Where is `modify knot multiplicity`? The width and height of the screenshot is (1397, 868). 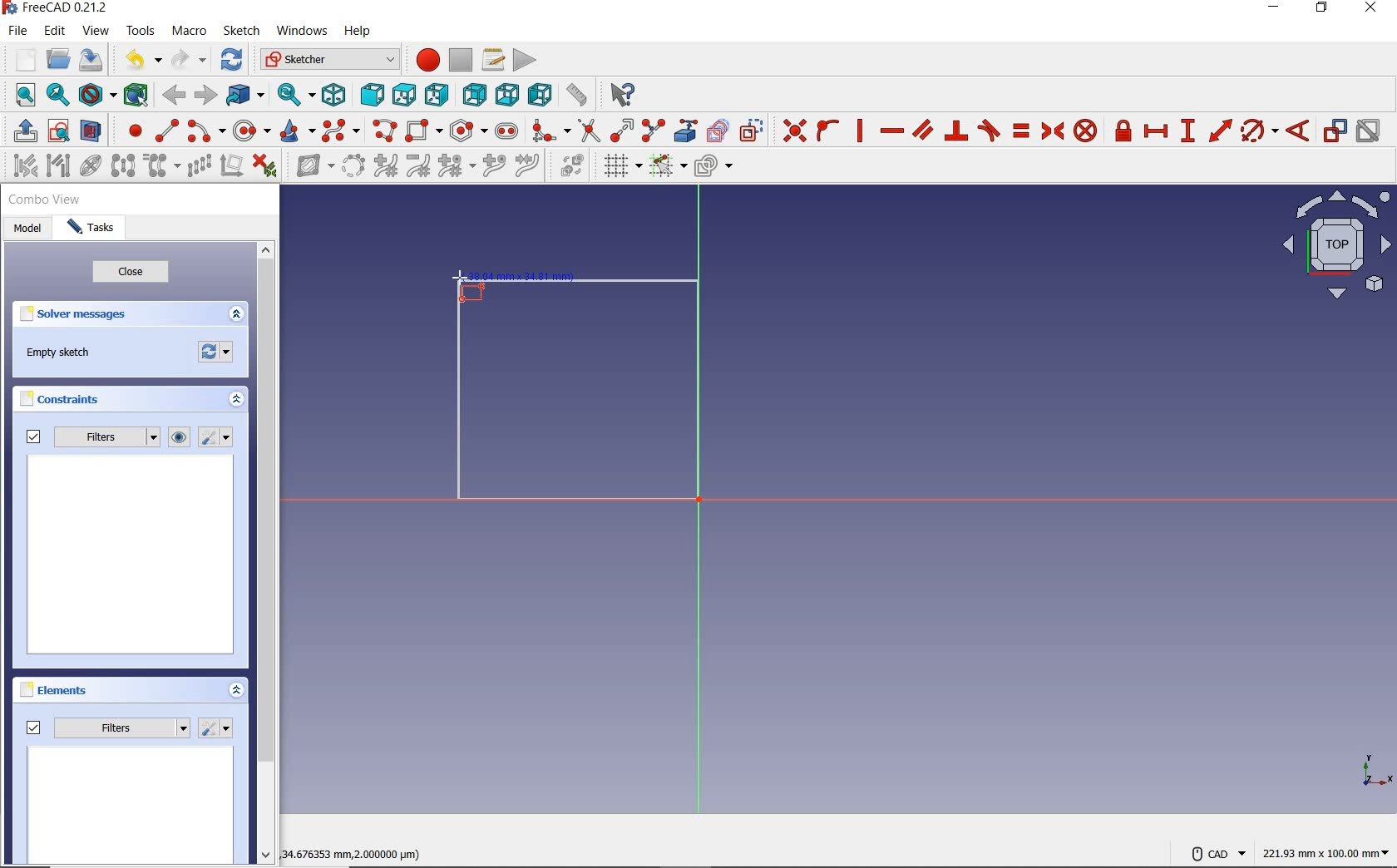
modify knot multiplicity is located at coordinates (456, 166).